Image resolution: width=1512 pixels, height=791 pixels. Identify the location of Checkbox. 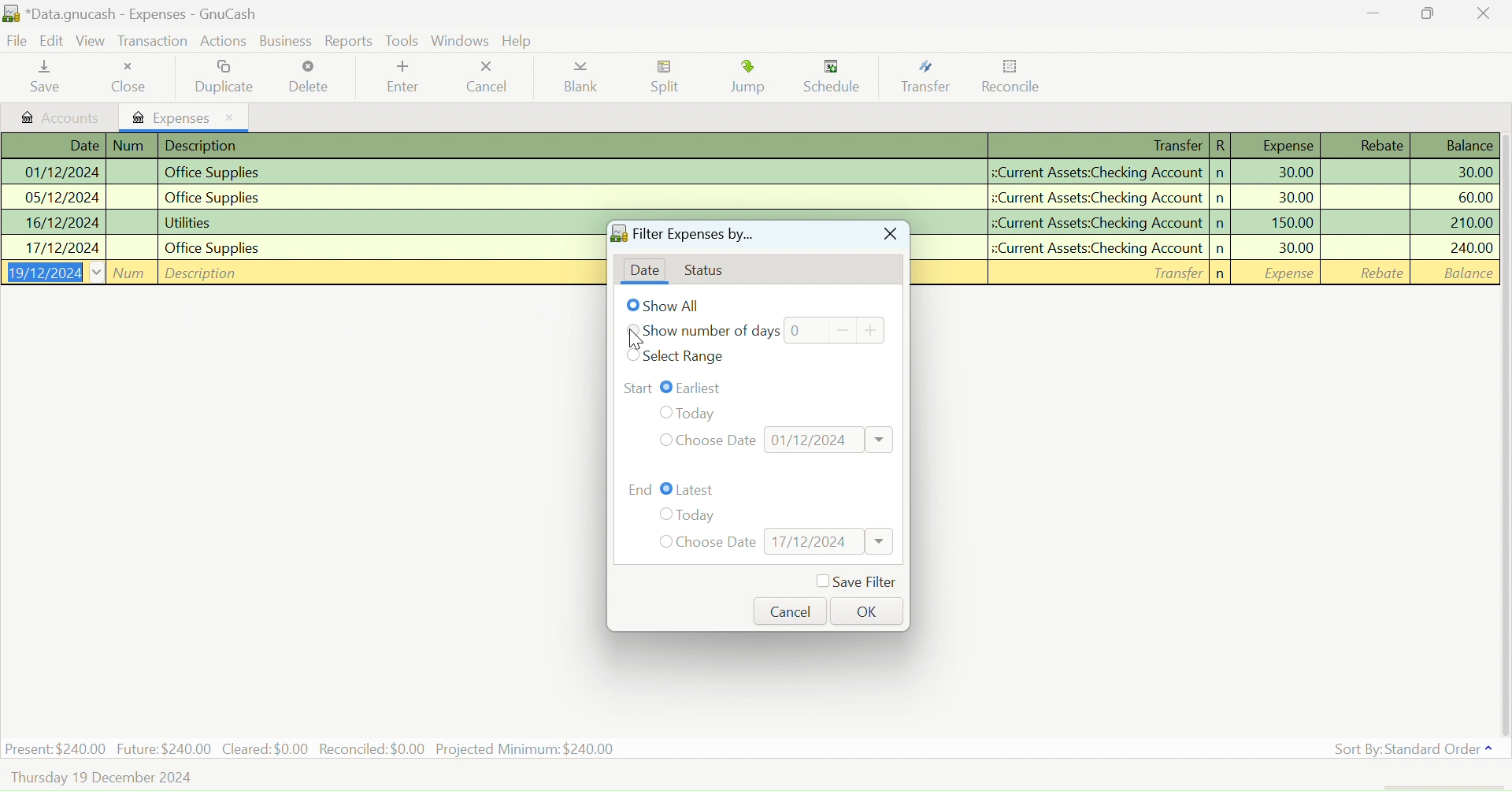
(663, 412).